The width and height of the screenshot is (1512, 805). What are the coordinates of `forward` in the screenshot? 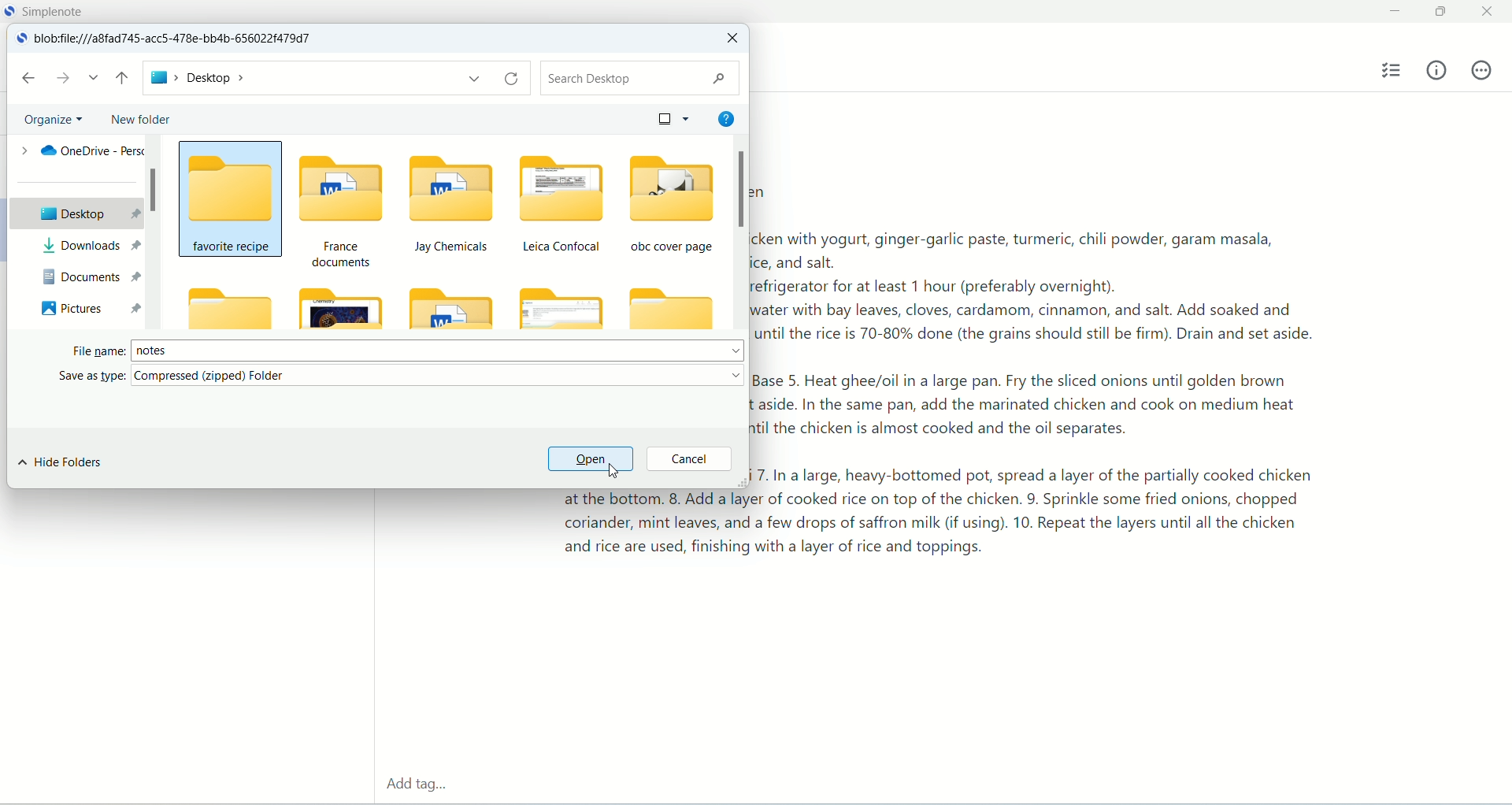 It's located at (64, 77).